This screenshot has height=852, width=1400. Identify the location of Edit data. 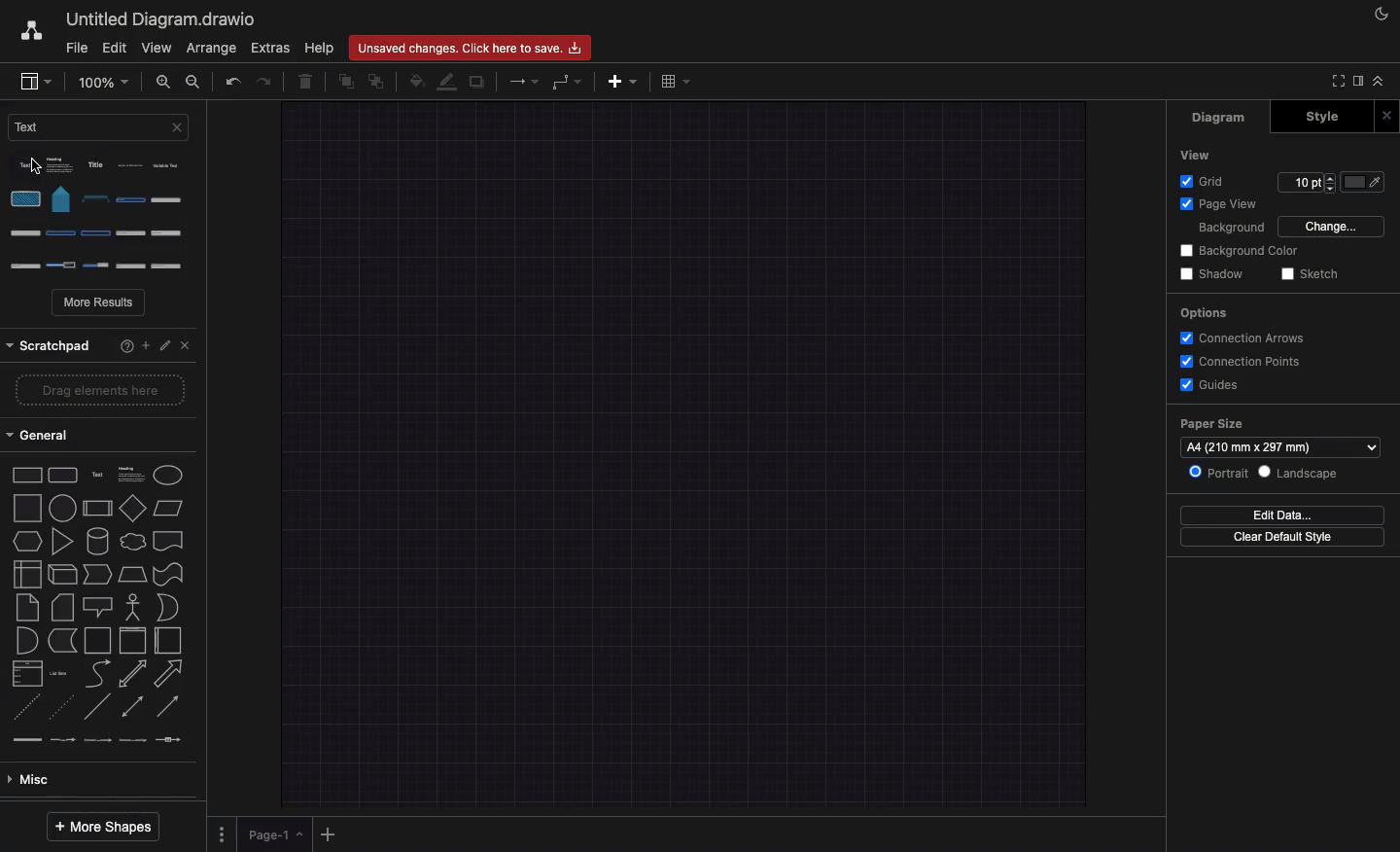
(1281, 515).